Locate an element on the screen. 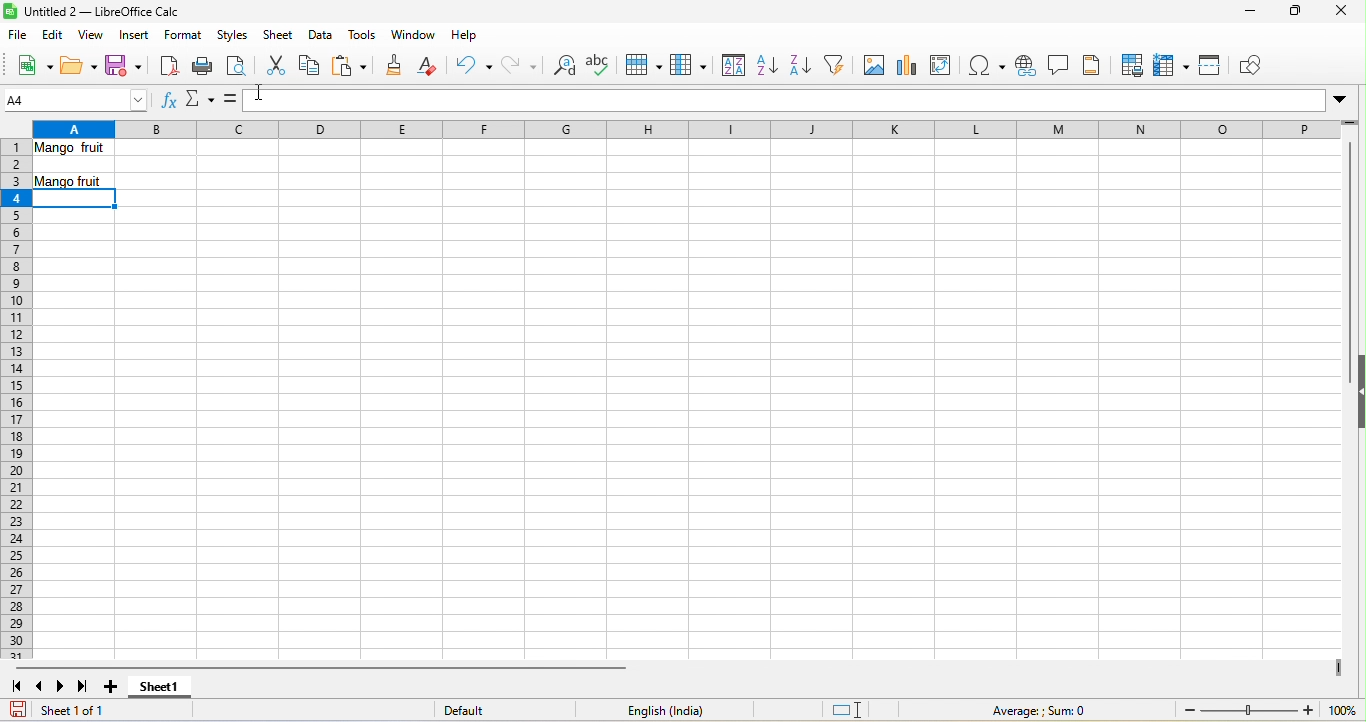  formula is located at coordinates (231, 100).